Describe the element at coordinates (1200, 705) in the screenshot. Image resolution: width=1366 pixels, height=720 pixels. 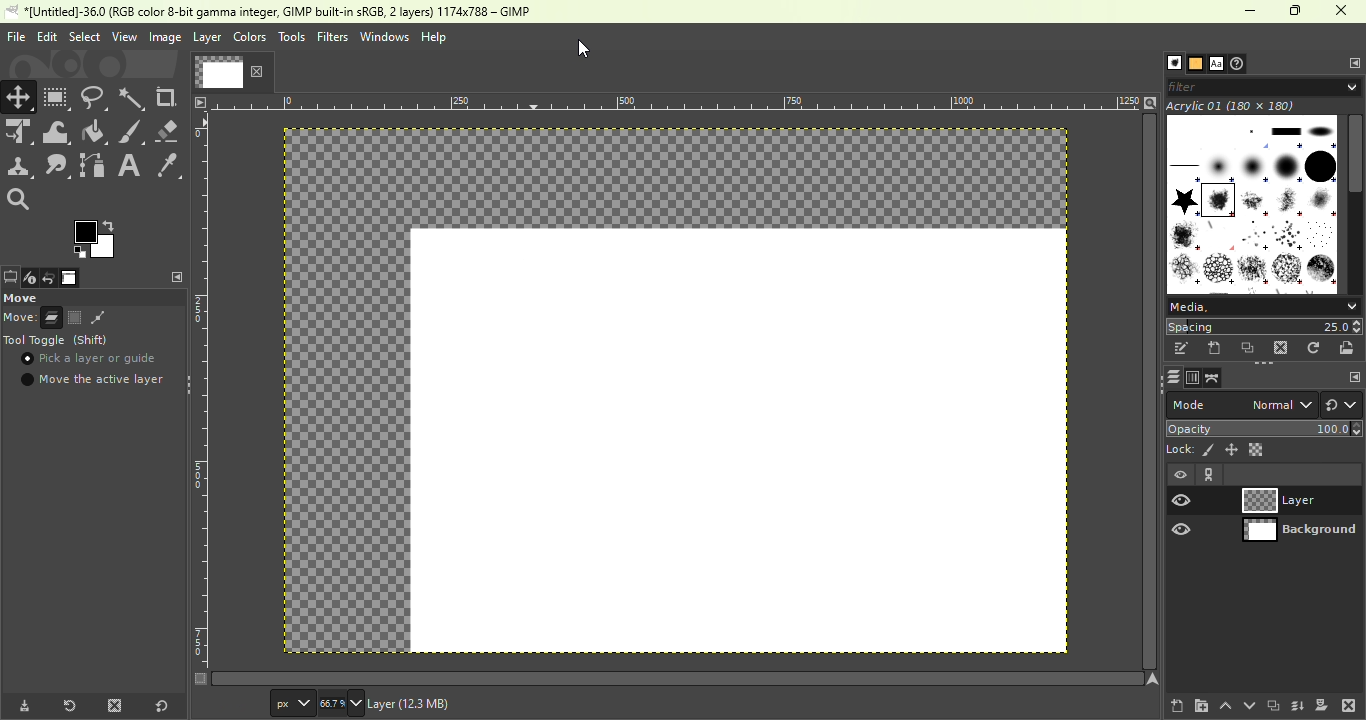
I see `Crate a new layer group` at that location.